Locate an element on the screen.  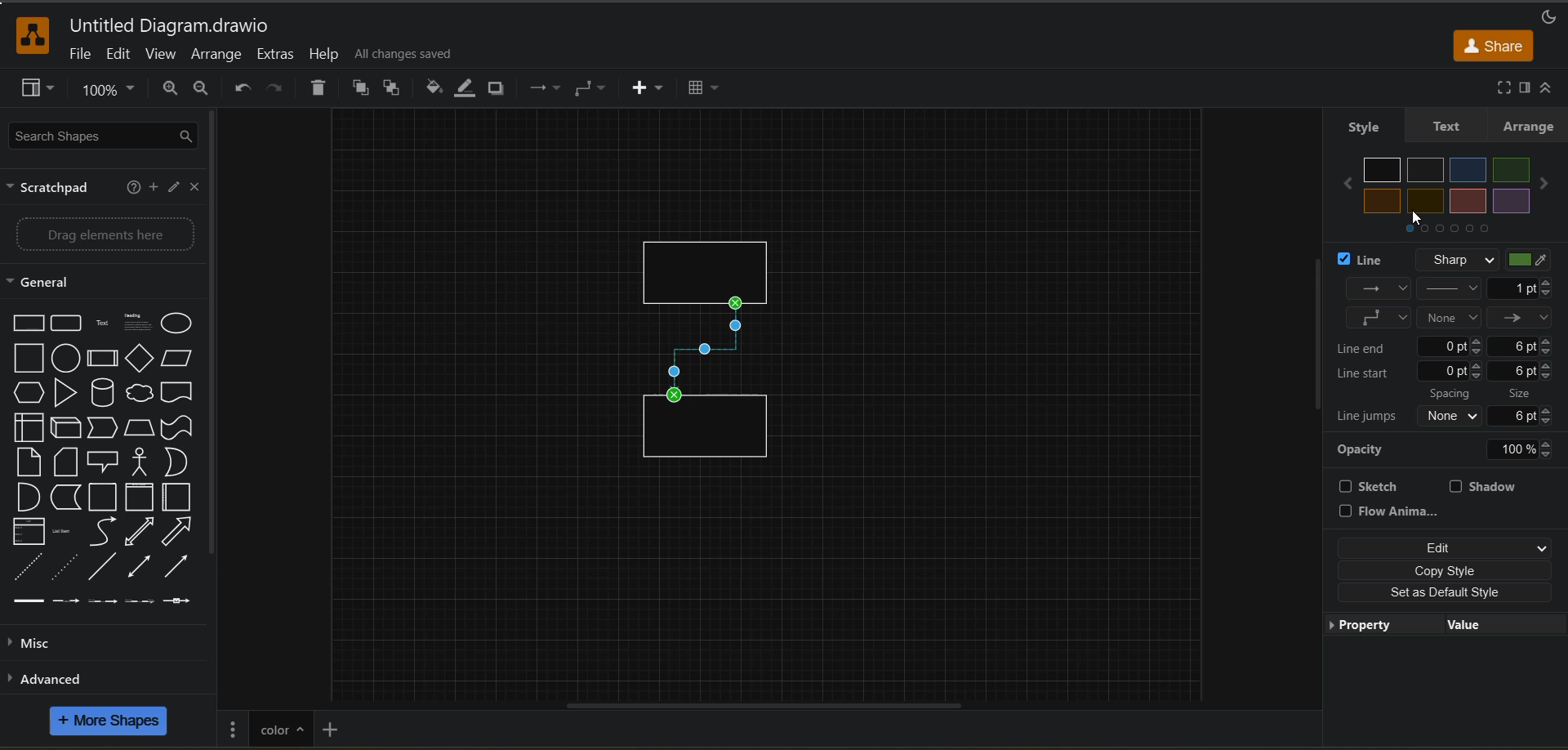
0pt is located at coordinates (1452, 346).